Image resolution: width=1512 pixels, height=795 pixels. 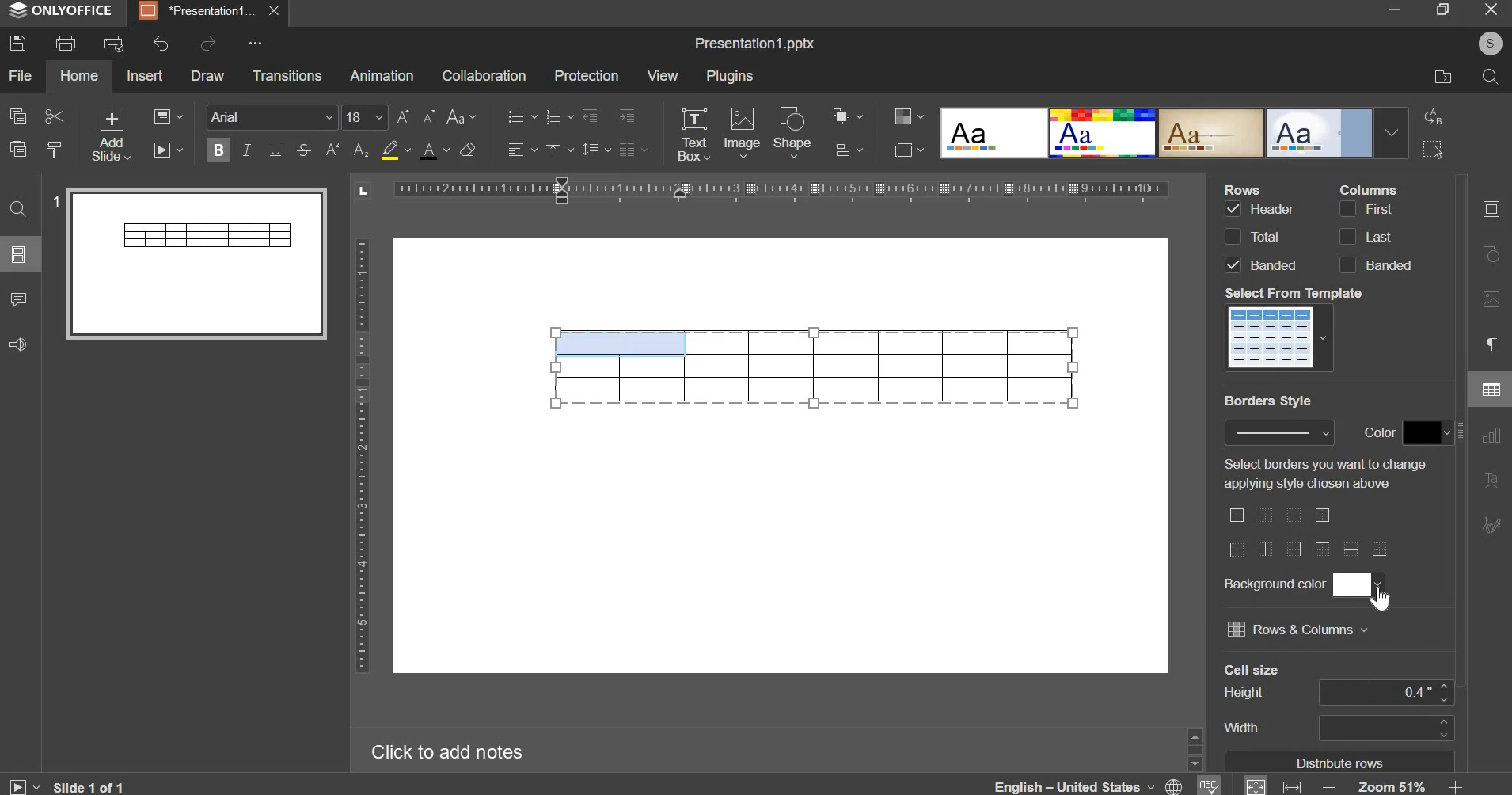 I want to click on background color, so click(x=1357, y=584).